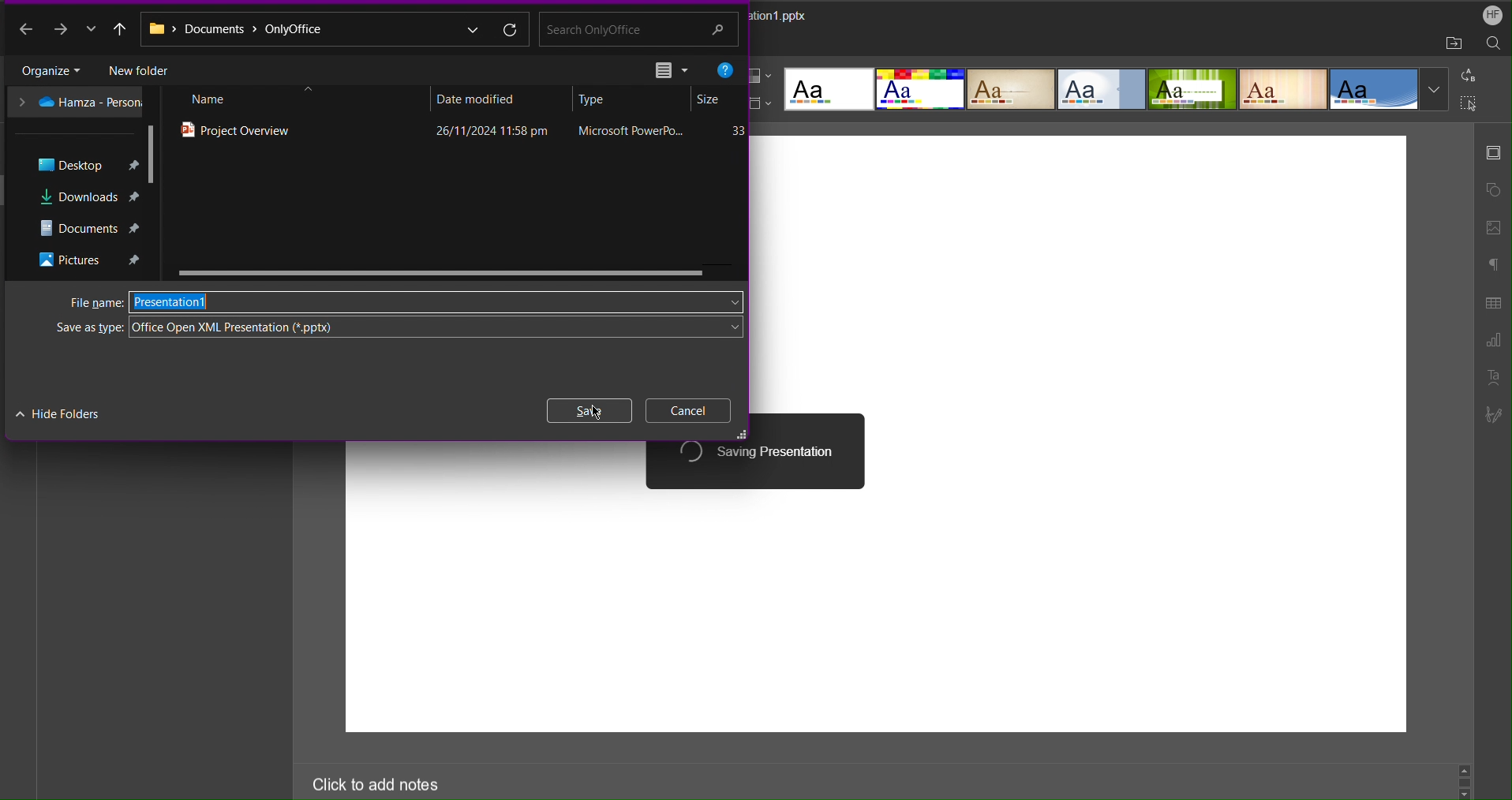  Describe the element at coordinates (664, 69) in the screenshot. I see `View` at that location.